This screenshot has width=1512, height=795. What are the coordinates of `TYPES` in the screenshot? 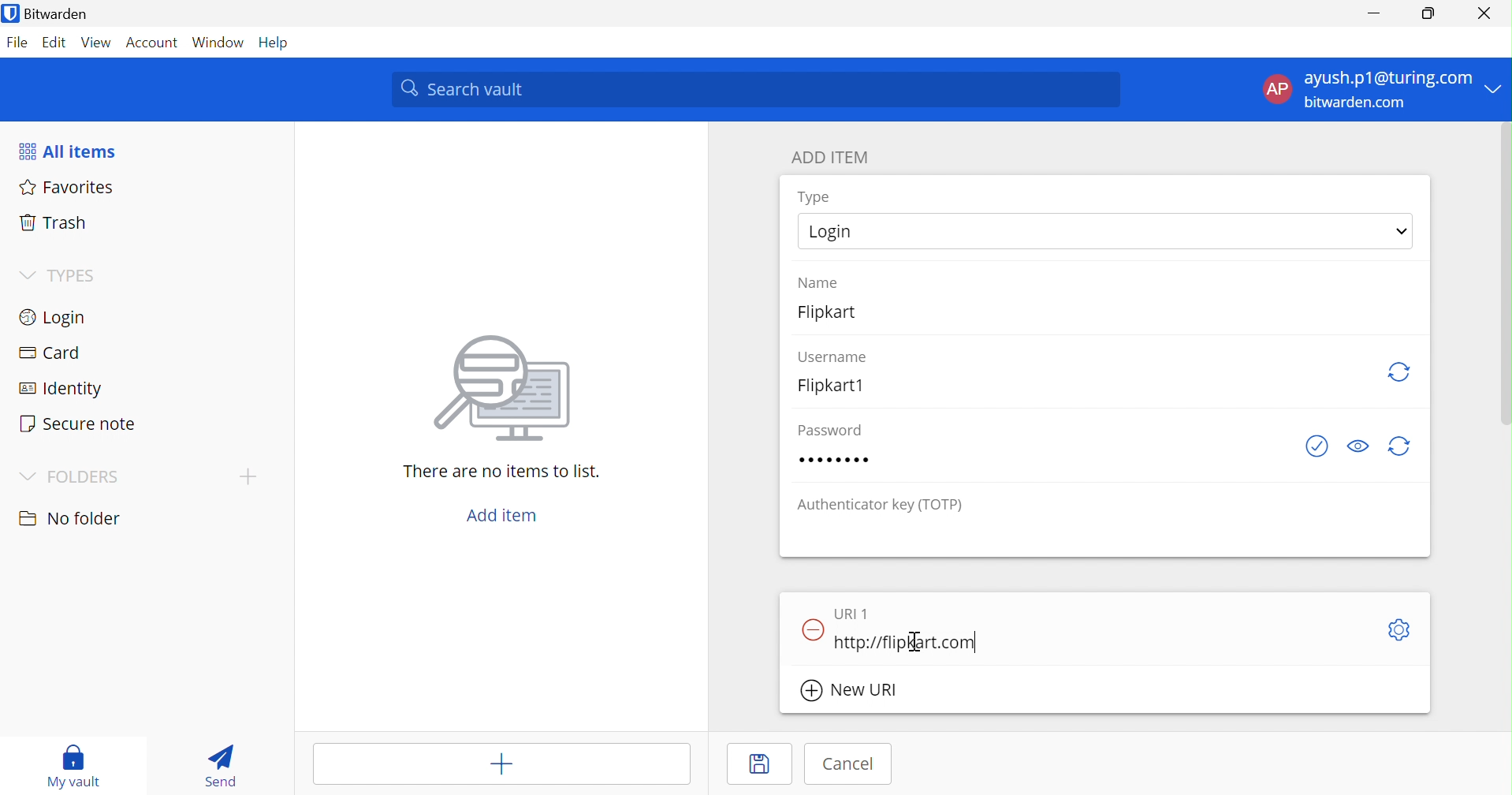 It's located at (75, 275).